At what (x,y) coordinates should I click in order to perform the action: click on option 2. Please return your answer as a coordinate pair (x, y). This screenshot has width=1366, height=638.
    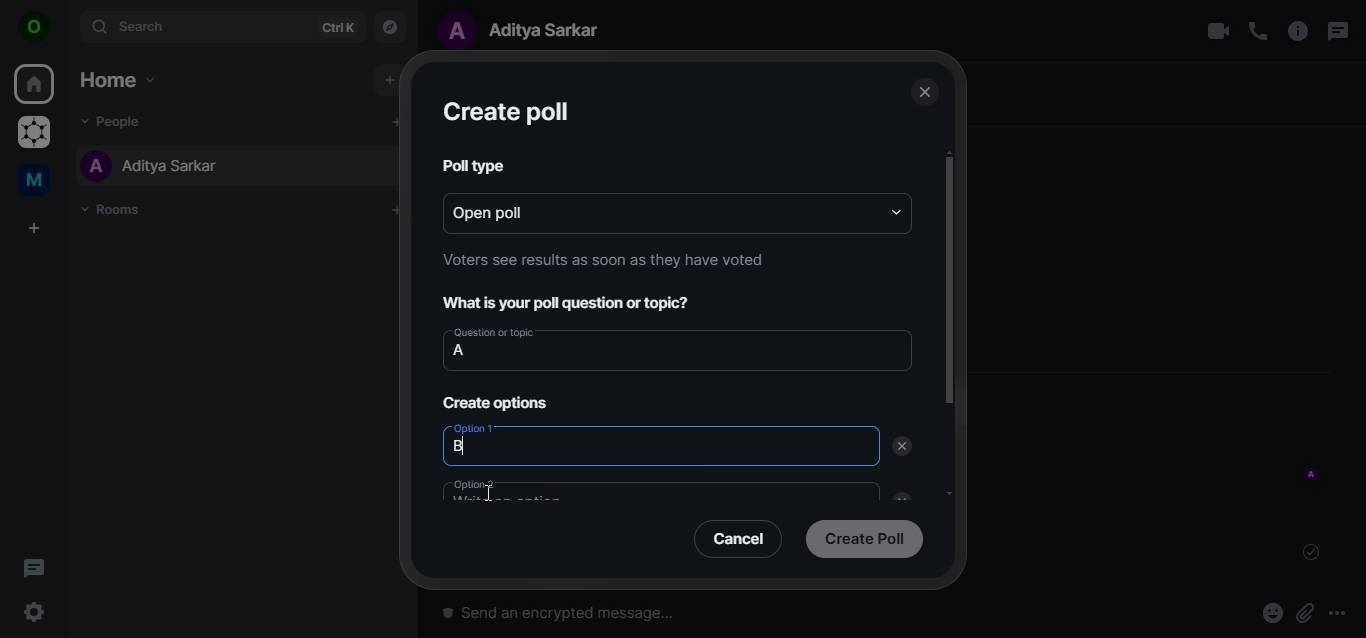
    Looking at the image, I should click on (489, 489).